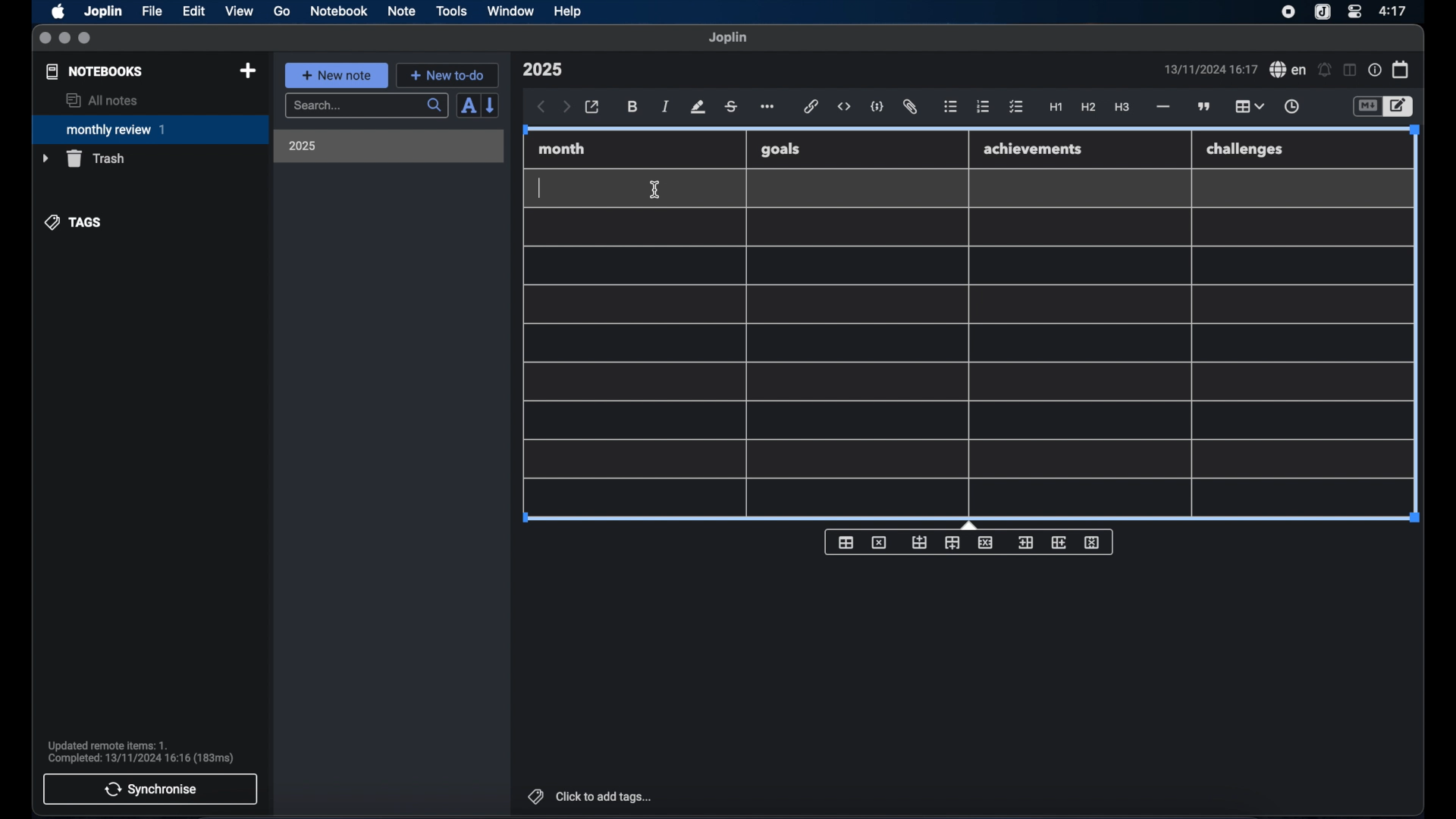 The image size is (1456, 819). I want to click on goals, so click(780, 149).